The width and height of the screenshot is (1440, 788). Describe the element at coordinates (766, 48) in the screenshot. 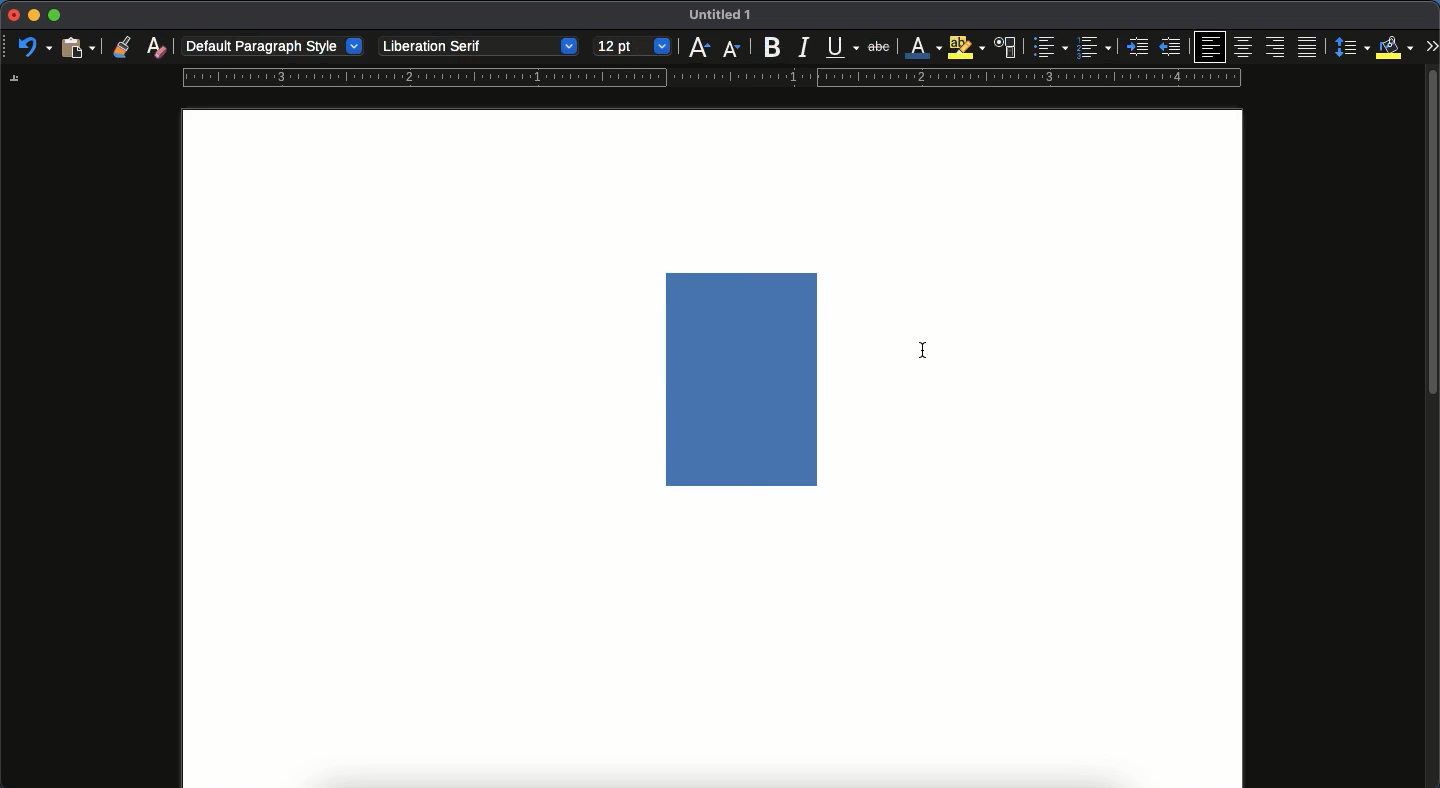

I see `bold` at that location.